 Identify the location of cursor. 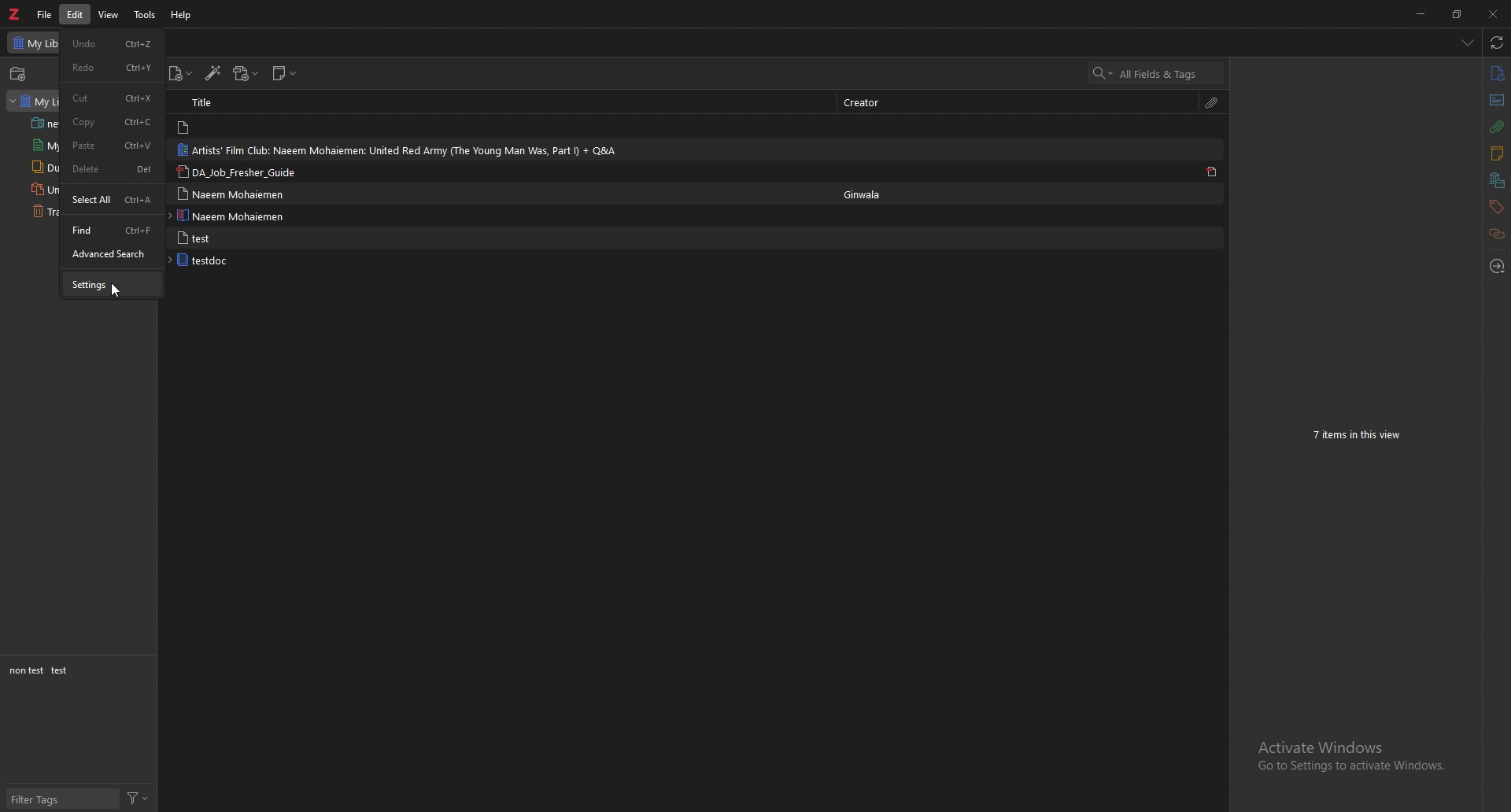
(116, 296).